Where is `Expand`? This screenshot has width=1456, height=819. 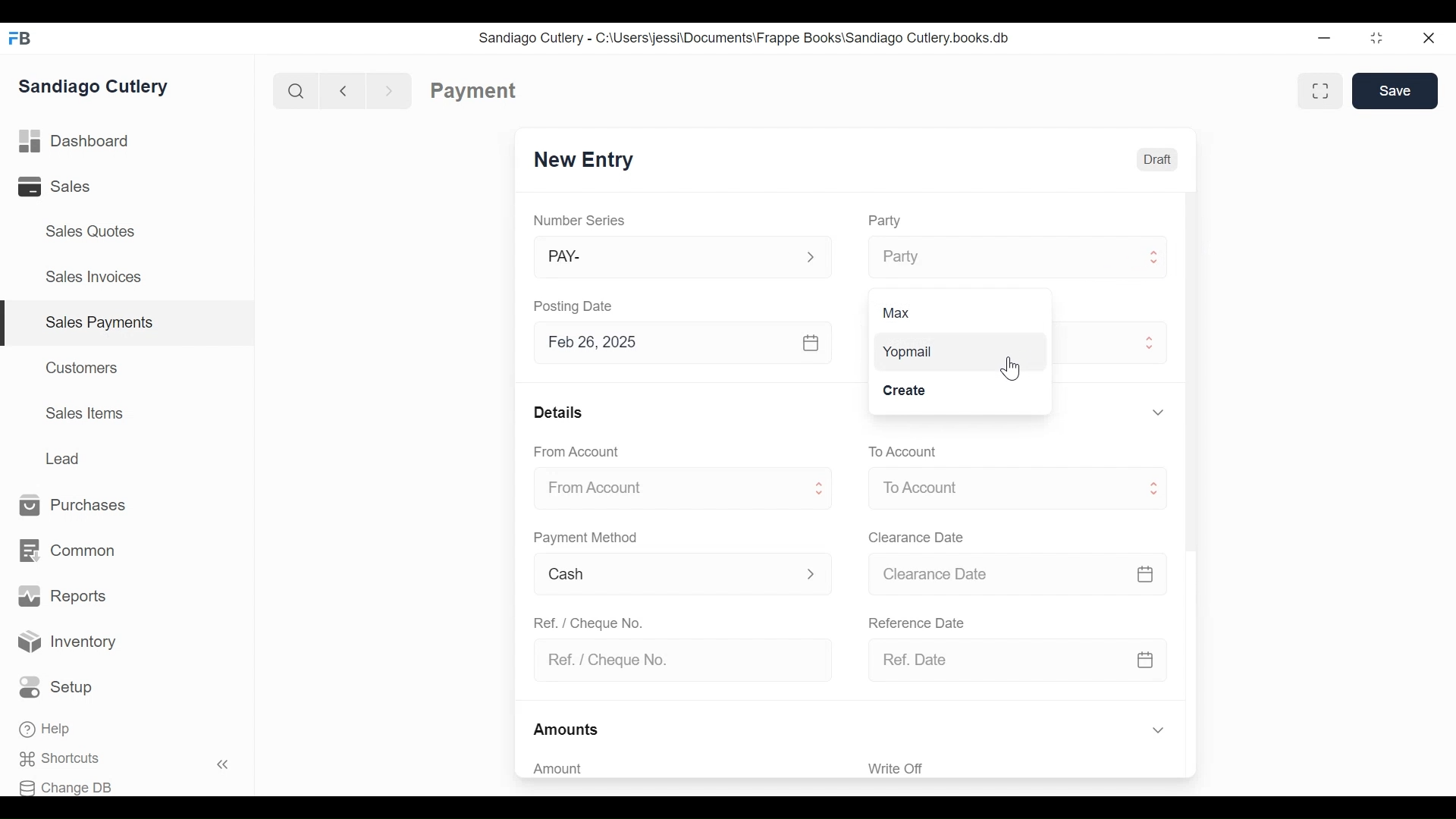
Expand is located at coordinates (811, 573).